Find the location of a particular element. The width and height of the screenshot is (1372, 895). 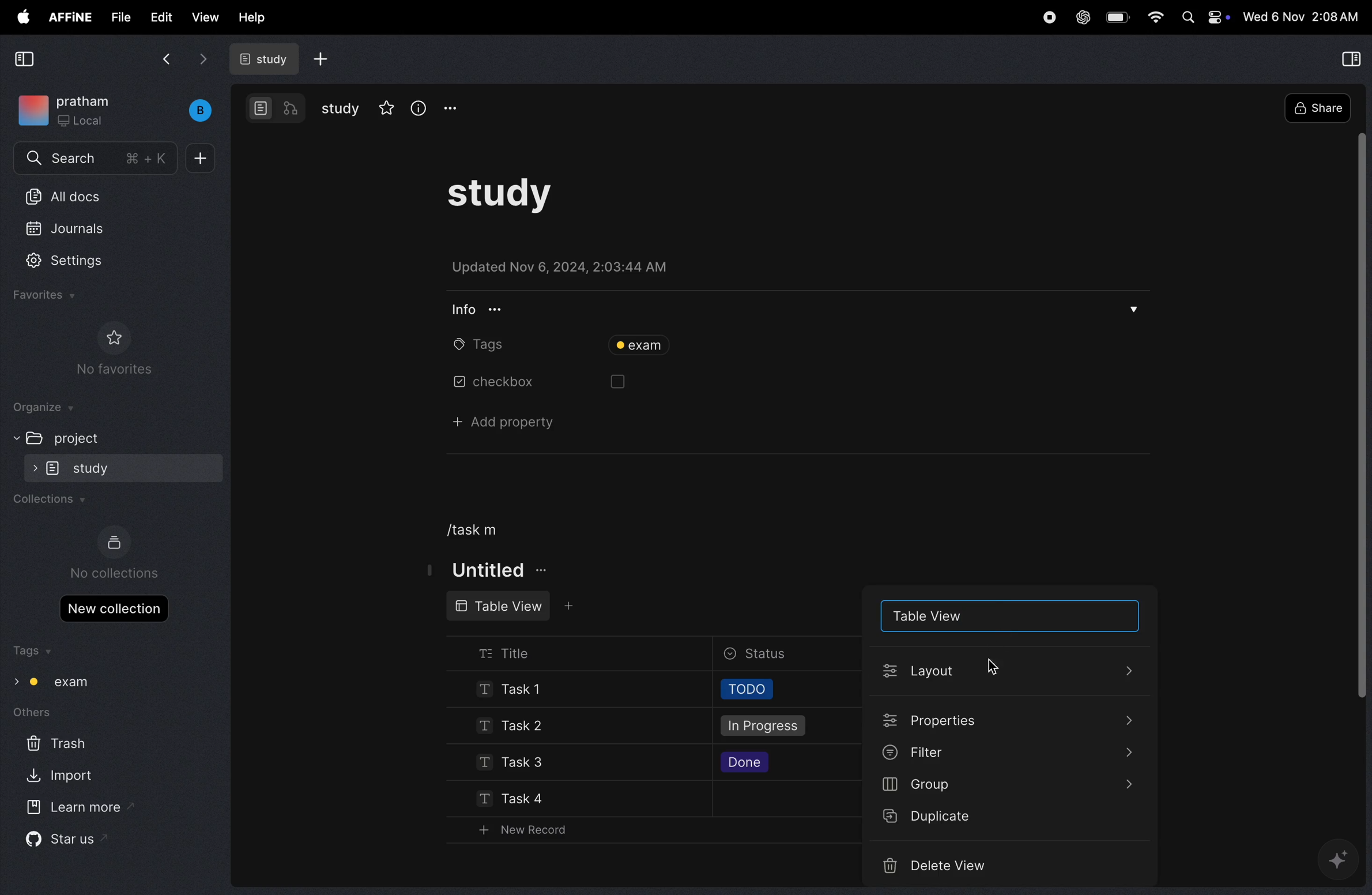

collapse view is located at coordinates (27, 58).